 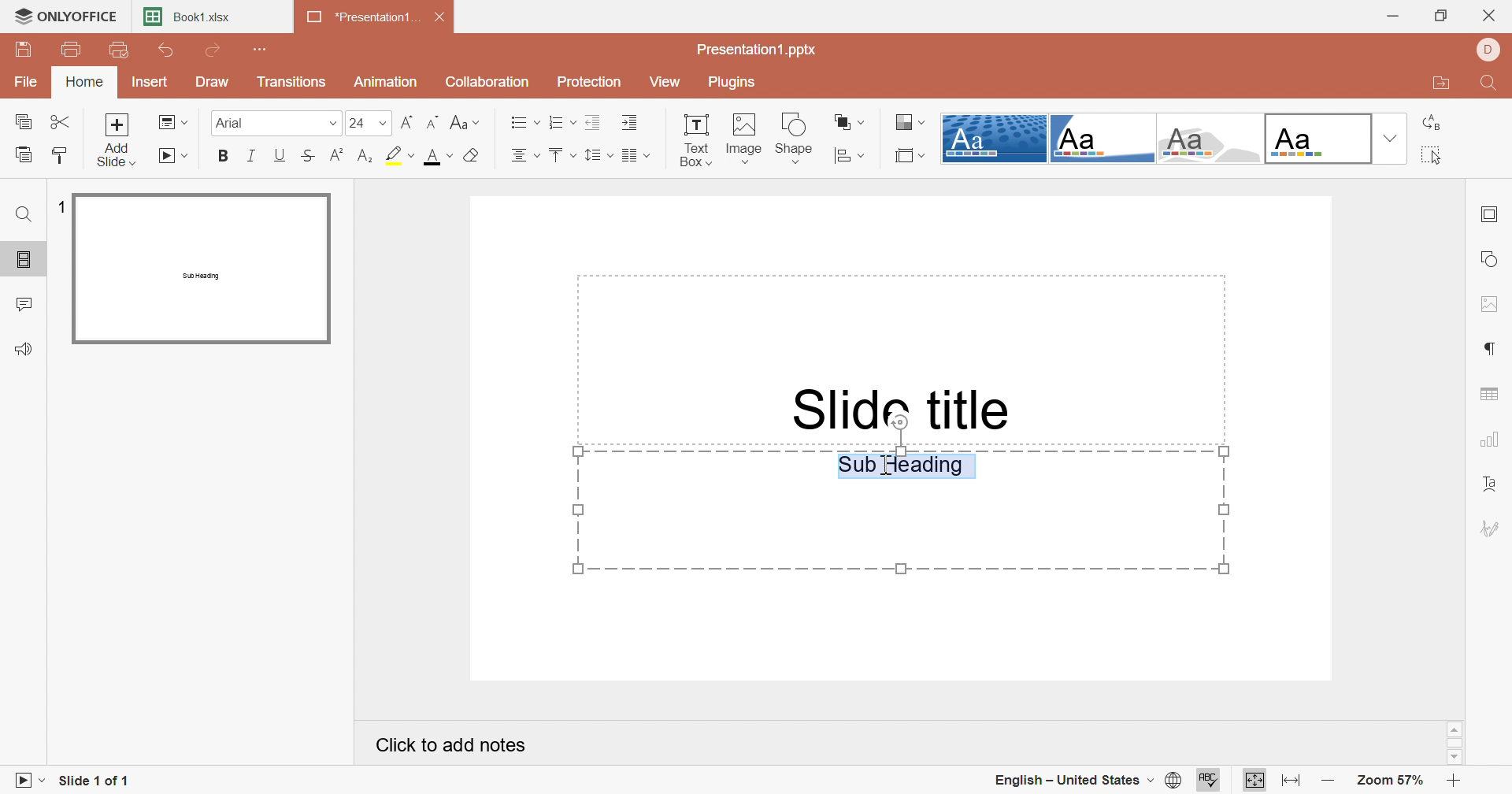 What do you see at coordinates (599, 153) in the screenshot?
I see `Line spacing` at bounding box center [599, 153].